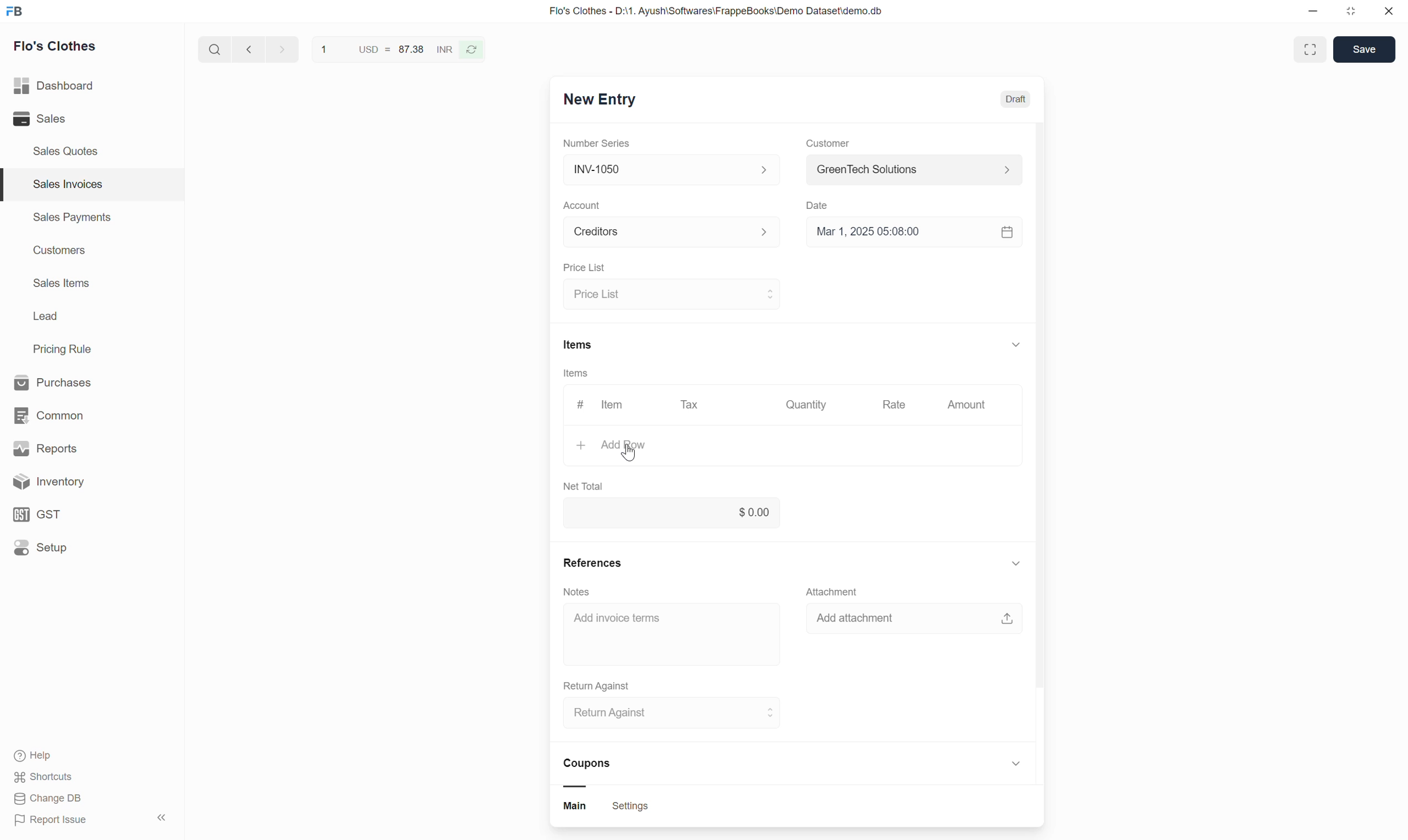  What do you see at coordinates (820, 207) in the screenshot?
I see `Date` at bounding box center [820, 207].